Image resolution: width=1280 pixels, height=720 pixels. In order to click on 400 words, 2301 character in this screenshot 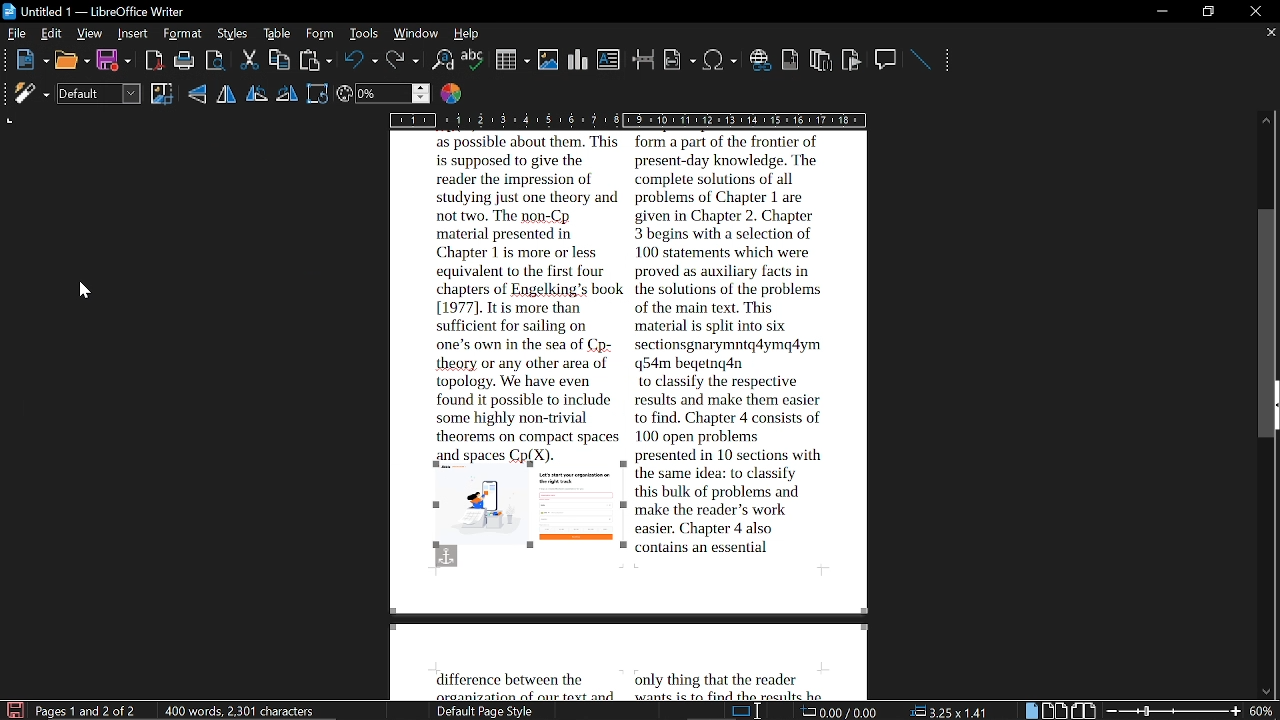, I will do `click(244, 711)`.